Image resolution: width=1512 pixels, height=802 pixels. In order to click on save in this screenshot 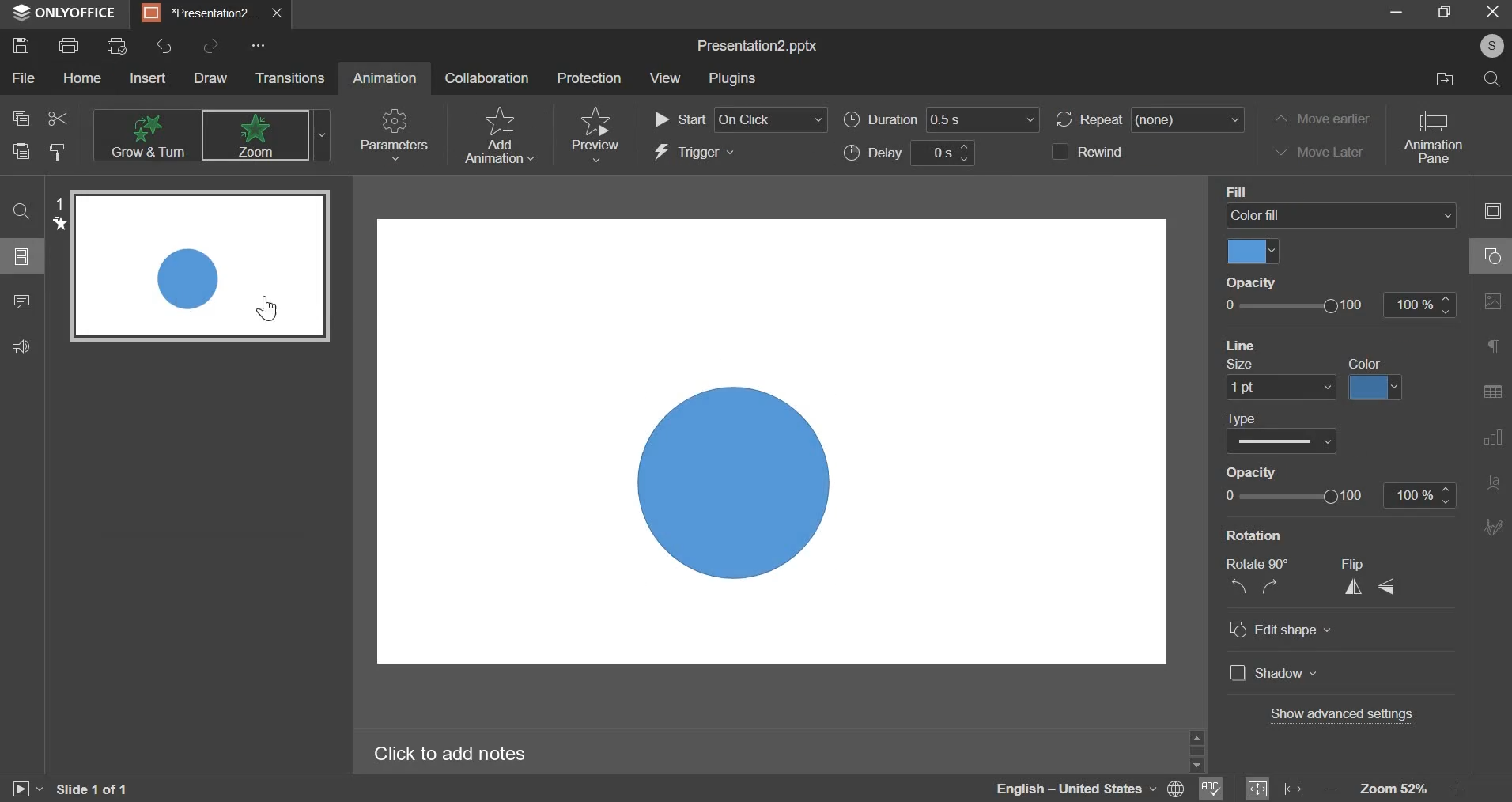, I will do `click(21, 45)`.